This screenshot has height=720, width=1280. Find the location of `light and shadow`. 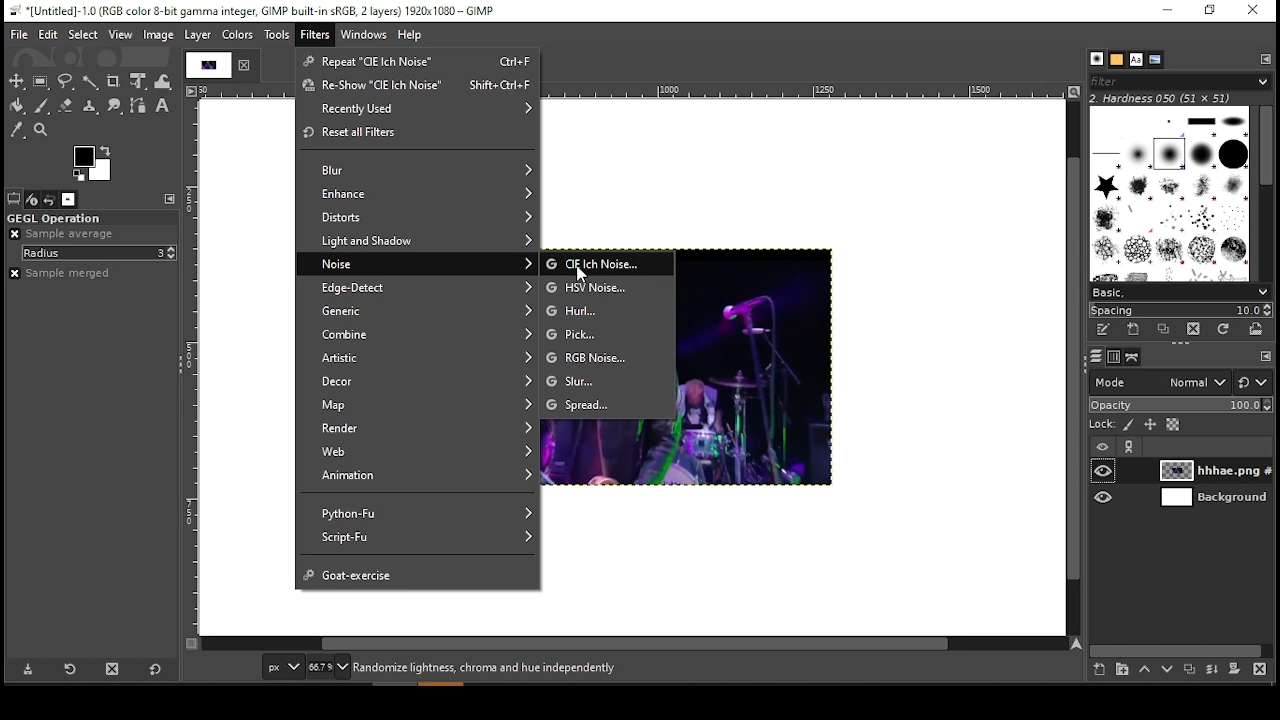

light and shadow is located at coordinates (419, 241).